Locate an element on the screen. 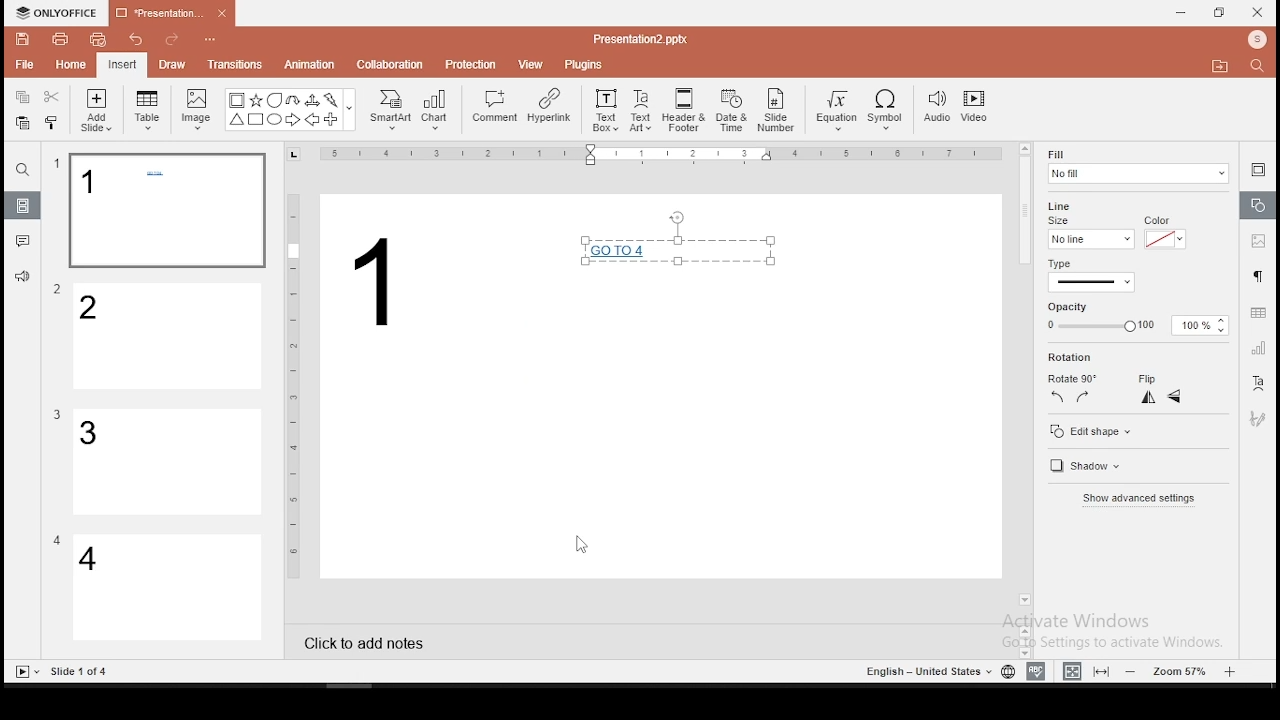 This screenshot has height=720, width=1280. icon is located at coordinates (60, 13).